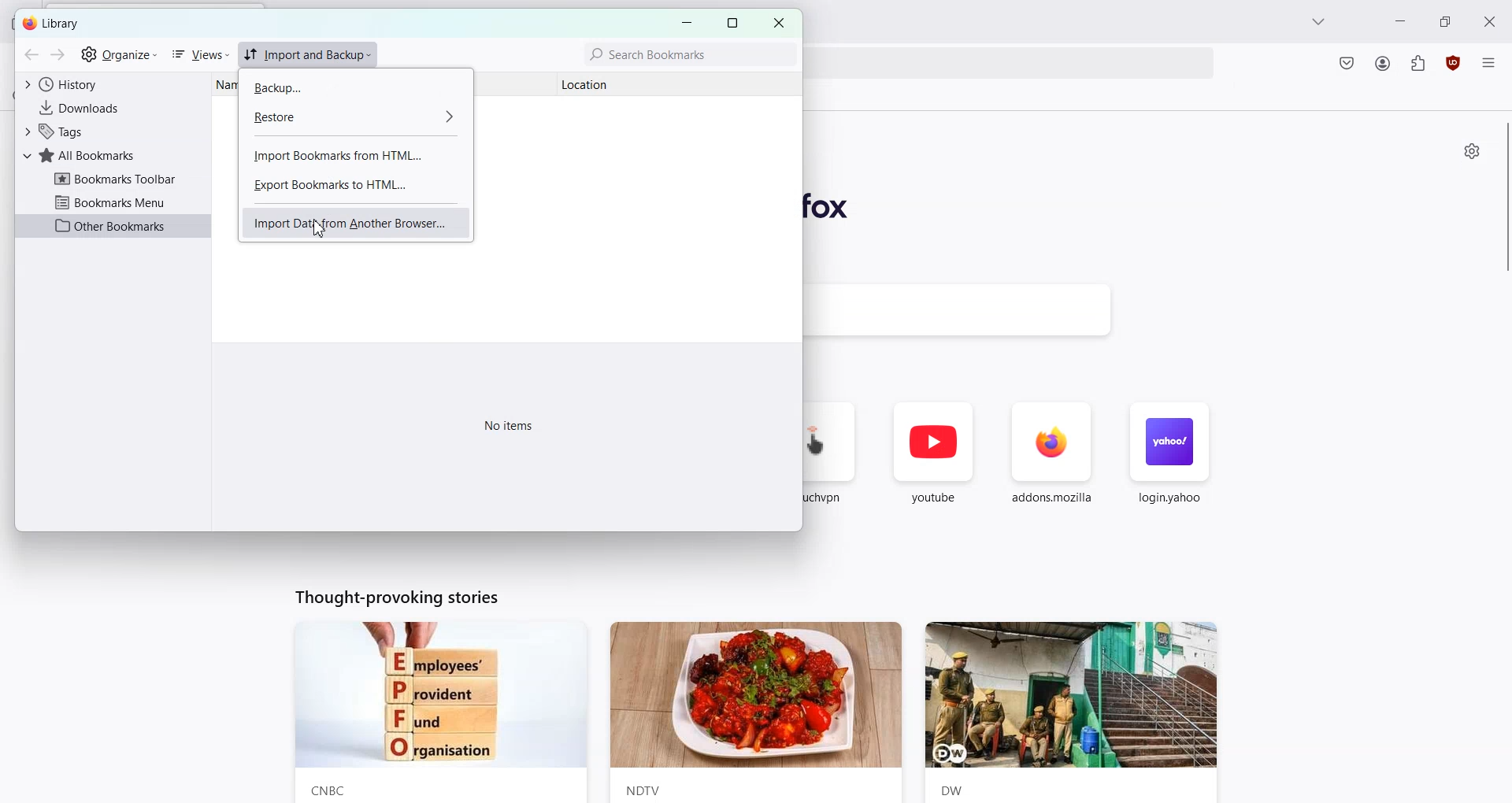 This screenshot has height=803, width=1512. I want to click on Close, so click(778, 23).